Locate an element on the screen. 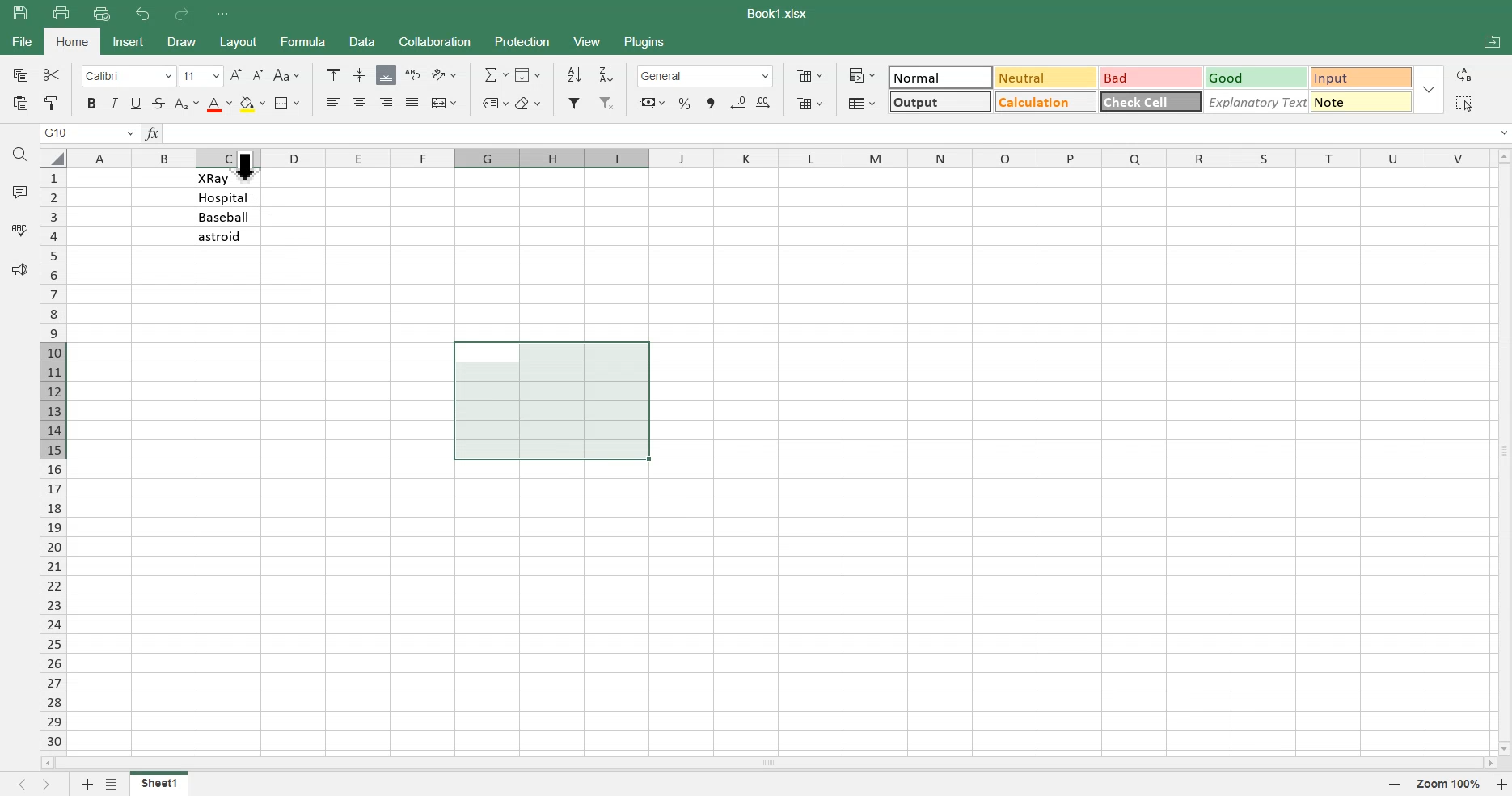 The width and height of the screenshot is (1512, 796). Home is located at coordinates (74, 41).